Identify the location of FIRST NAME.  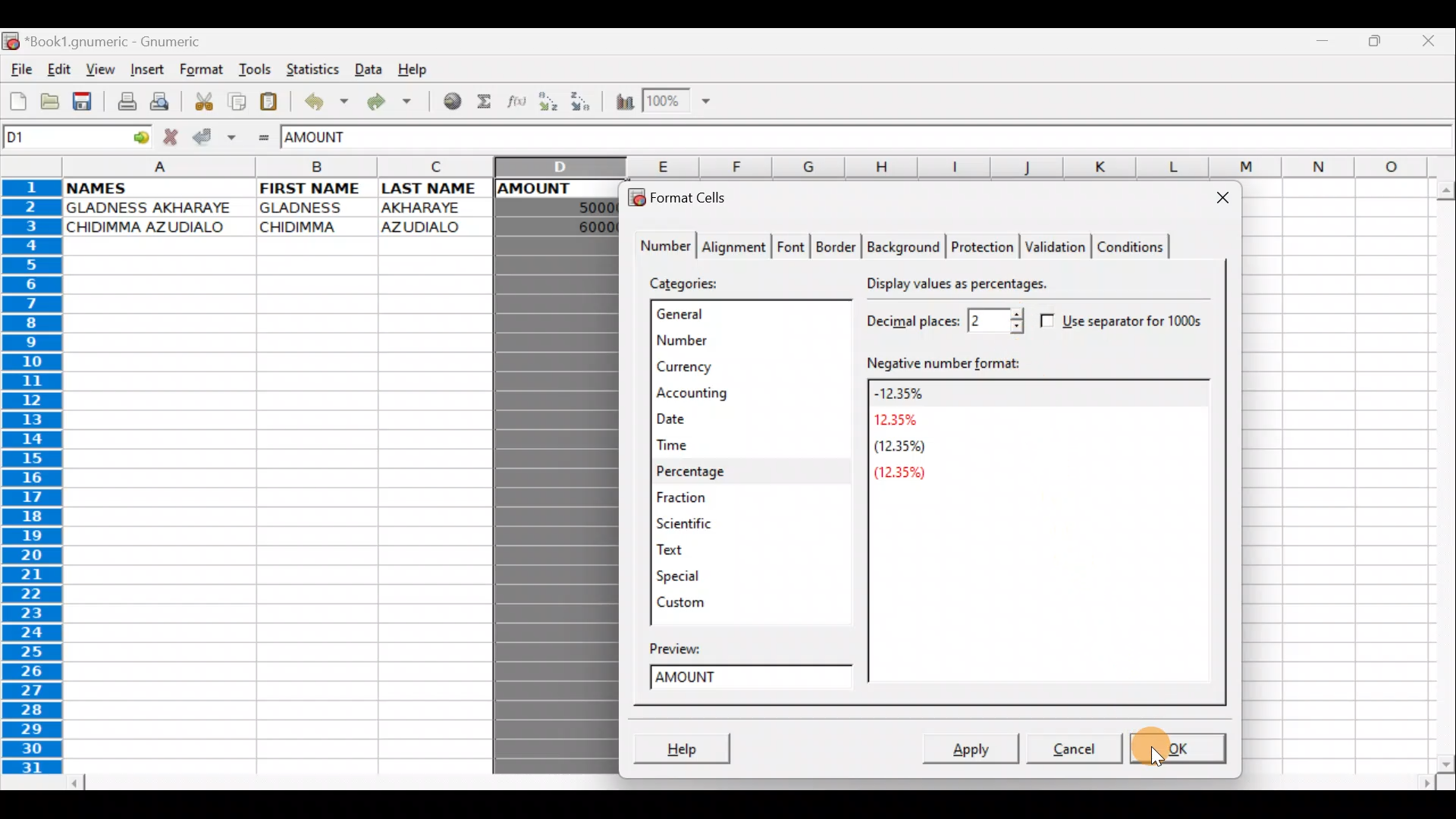
(313, 188).